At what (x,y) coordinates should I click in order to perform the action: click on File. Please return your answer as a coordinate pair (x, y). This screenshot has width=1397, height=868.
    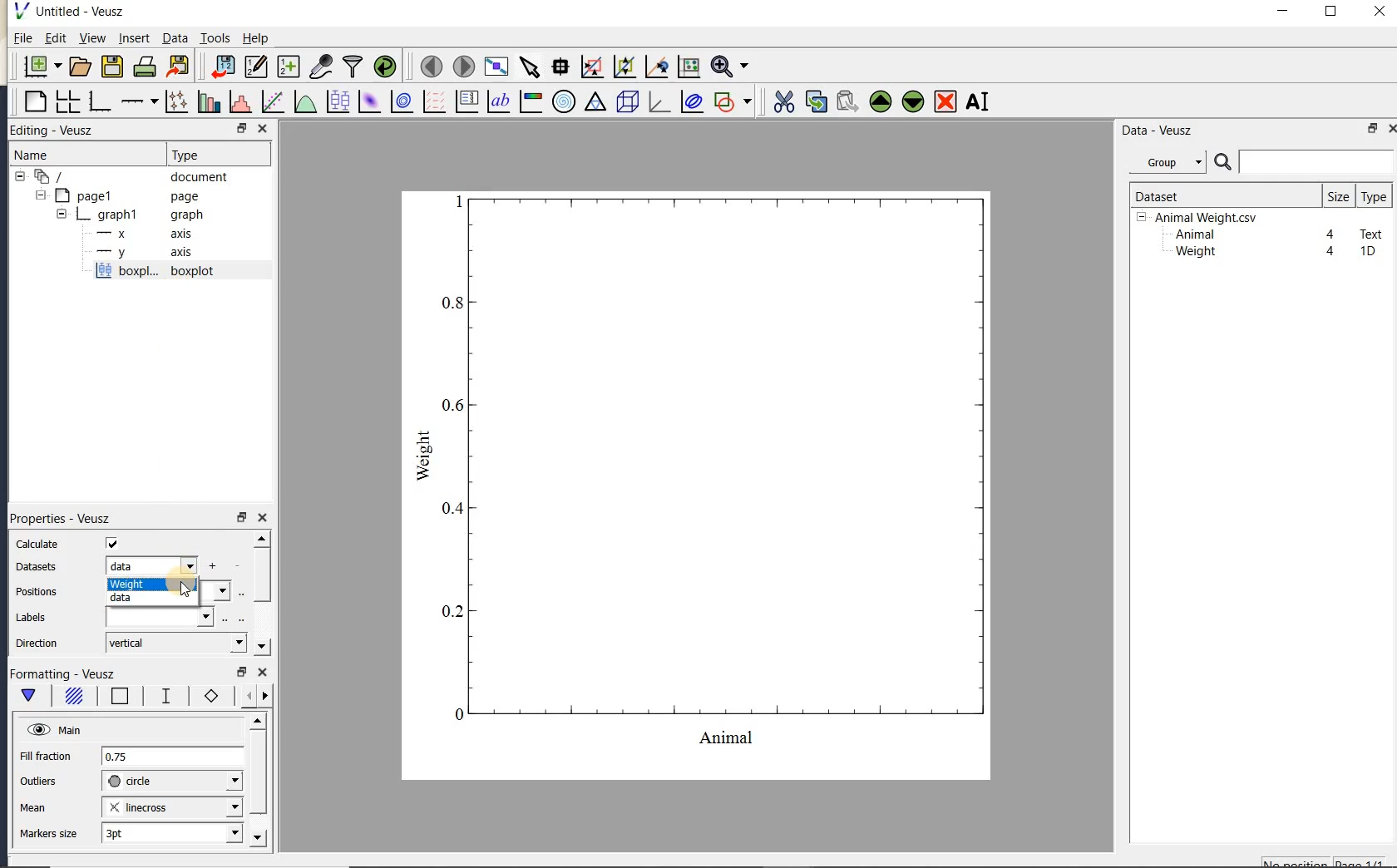
    Looking at the image, I should click on (23, 38).